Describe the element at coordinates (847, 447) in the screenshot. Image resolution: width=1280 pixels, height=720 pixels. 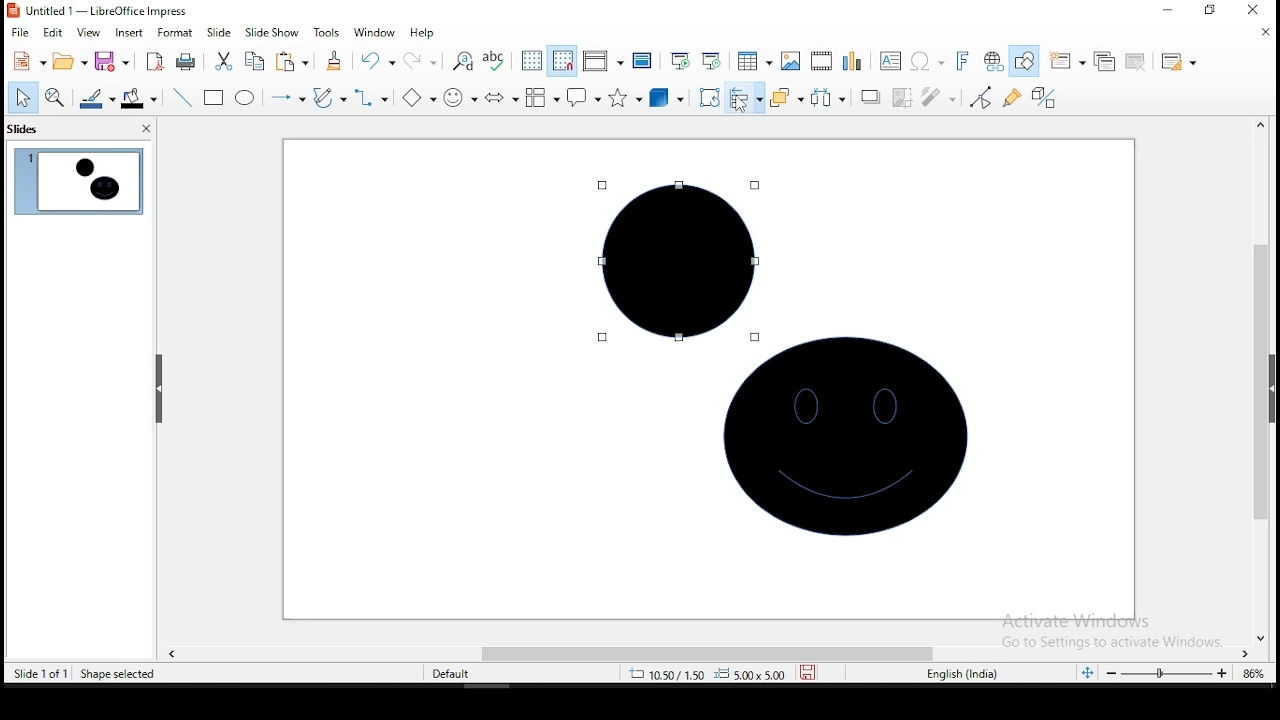
I see `object` at that location.